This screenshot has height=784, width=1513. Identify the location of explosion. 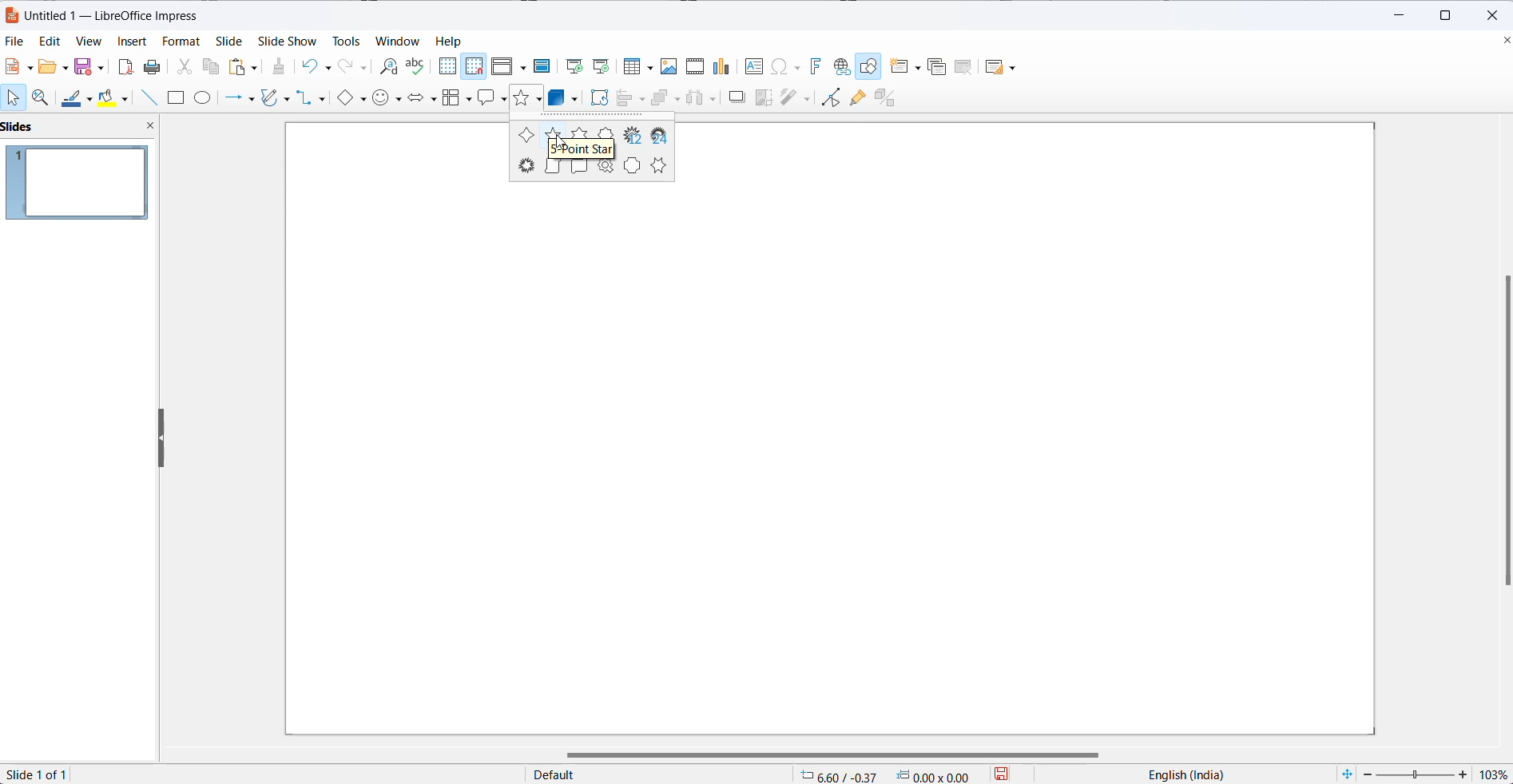
(524, 166).